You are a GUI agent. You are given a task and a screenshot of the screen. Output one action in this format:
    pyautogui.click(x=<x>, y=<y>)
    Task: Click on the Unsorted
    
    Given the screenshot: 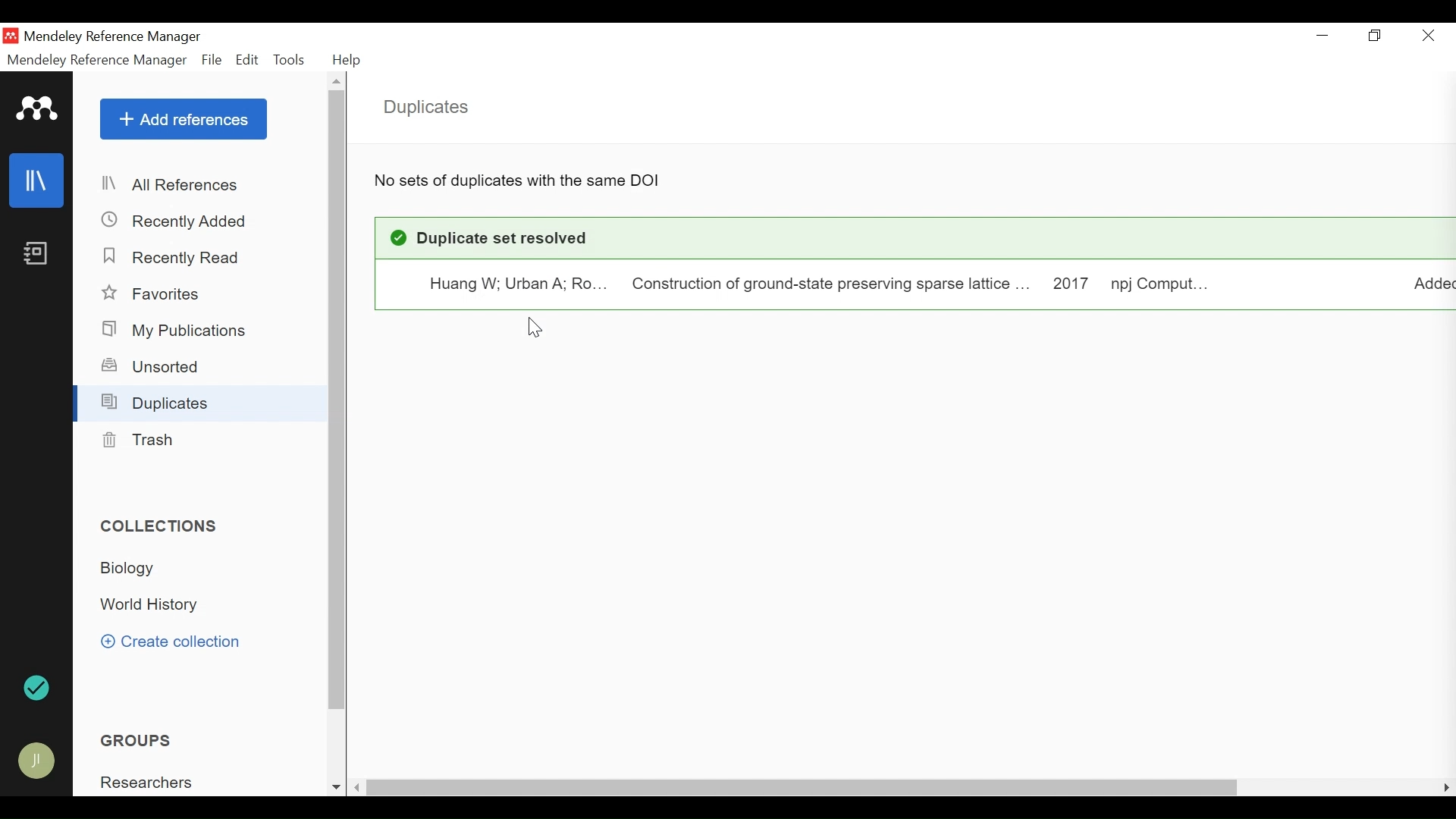 What is the action you would take?
    pyautogui.click(x=151, y=366)
    